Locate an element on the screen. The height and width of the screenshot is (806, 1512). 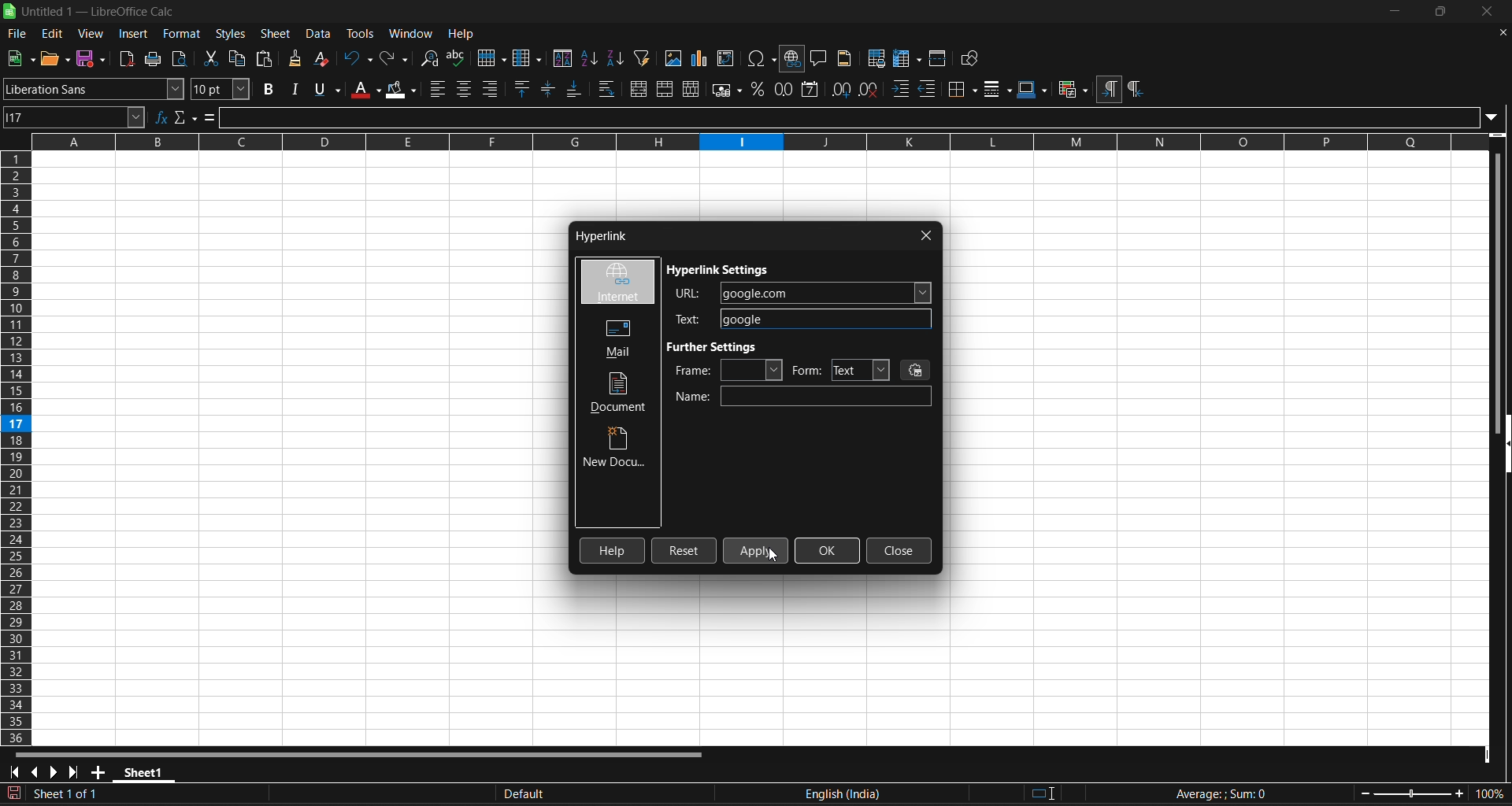
new document is located at coordinates (617, 449).